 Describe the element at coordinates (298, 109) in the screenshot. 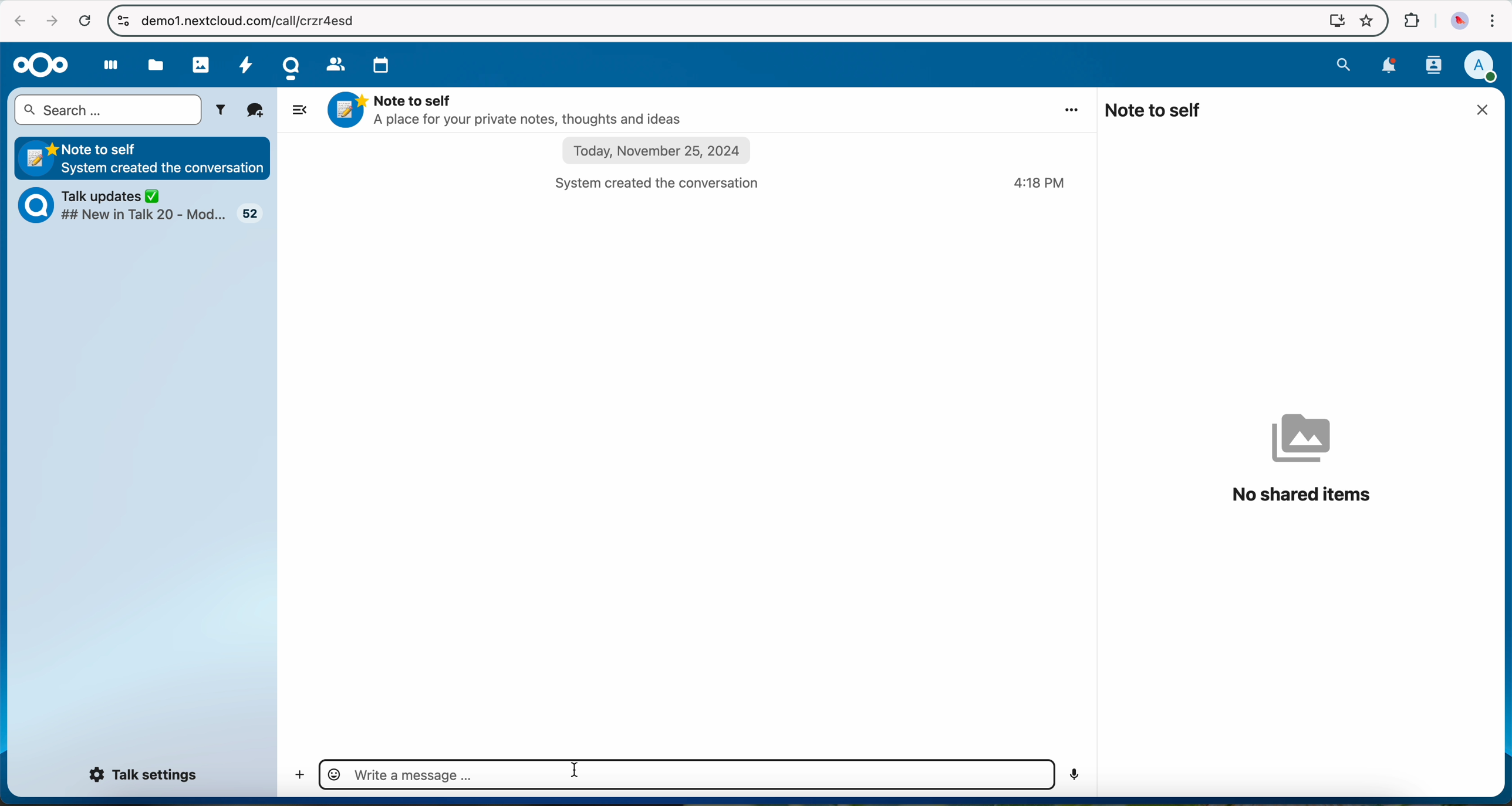

I see `hide side bar` at that location.